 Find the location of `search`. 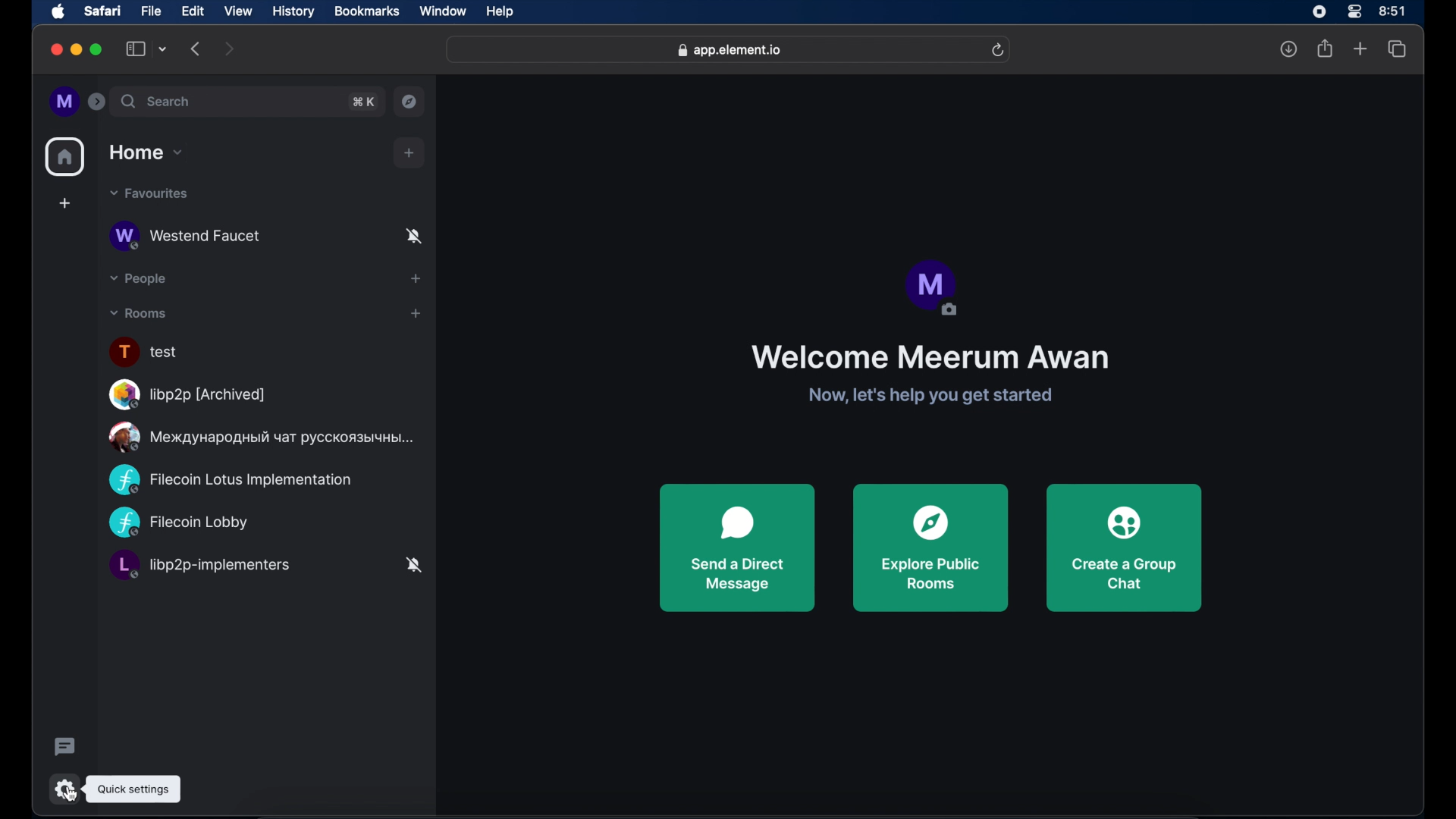

search is located at coordinates (155, 101).